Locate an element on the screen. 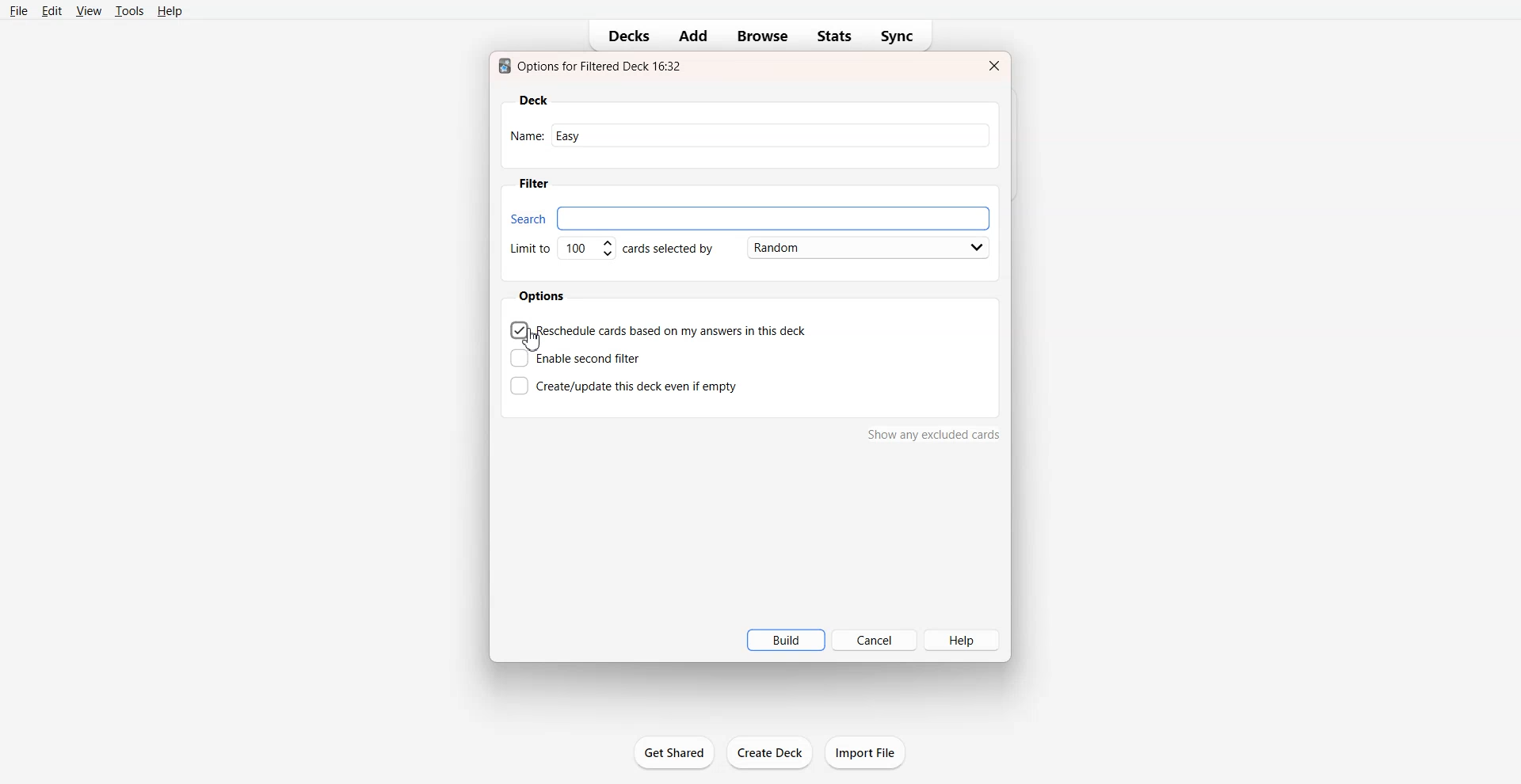 The height and width of the screenshot is (784, 1521). show any excluded cards is located at coordinates (934, 438).